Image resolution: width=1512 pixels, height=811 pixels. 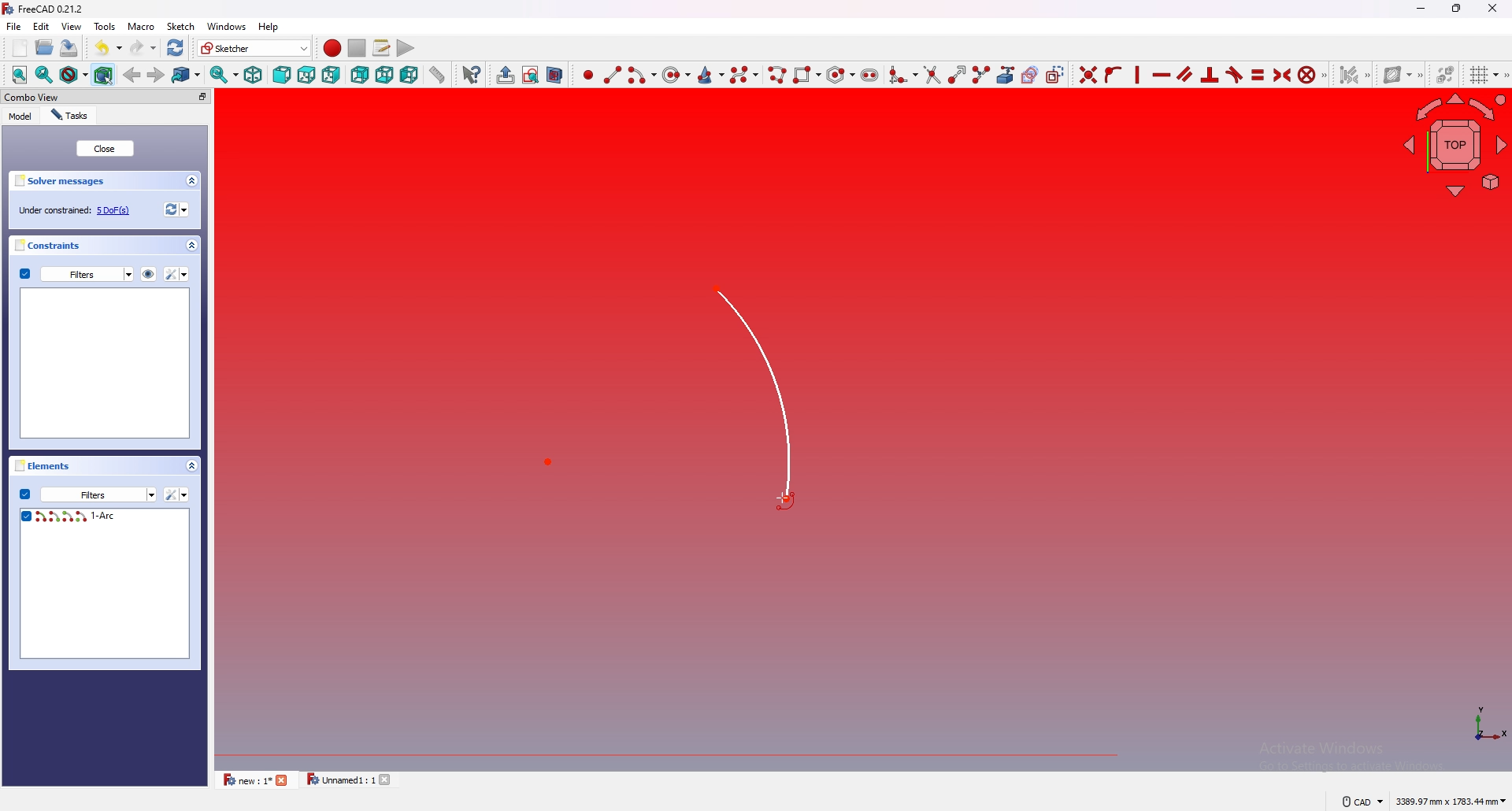 I want to click on top, so click(x=307, y=75).